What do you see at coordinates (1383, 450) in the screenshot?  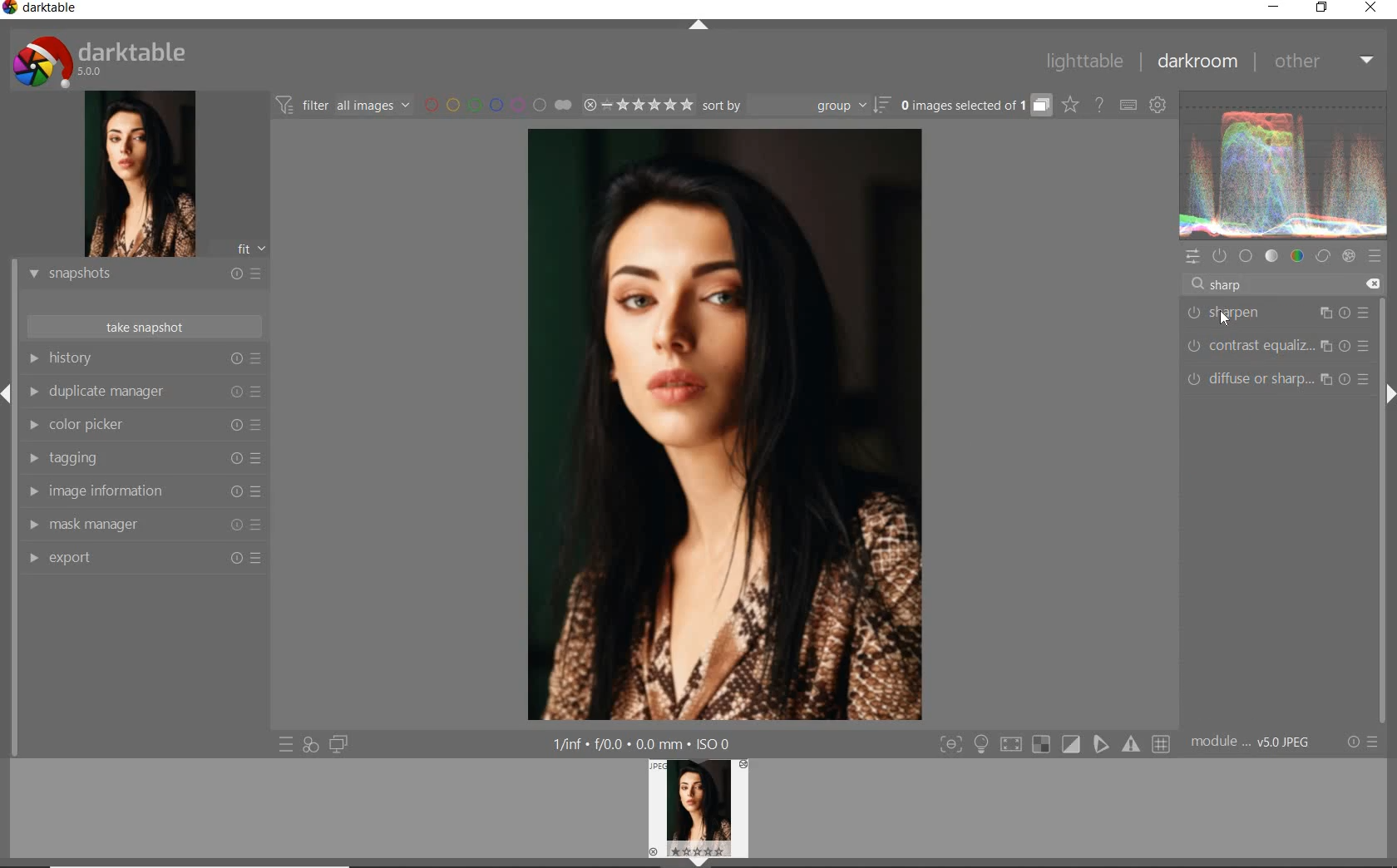 I see `scrollbar` at bounding box center [1383, 450].